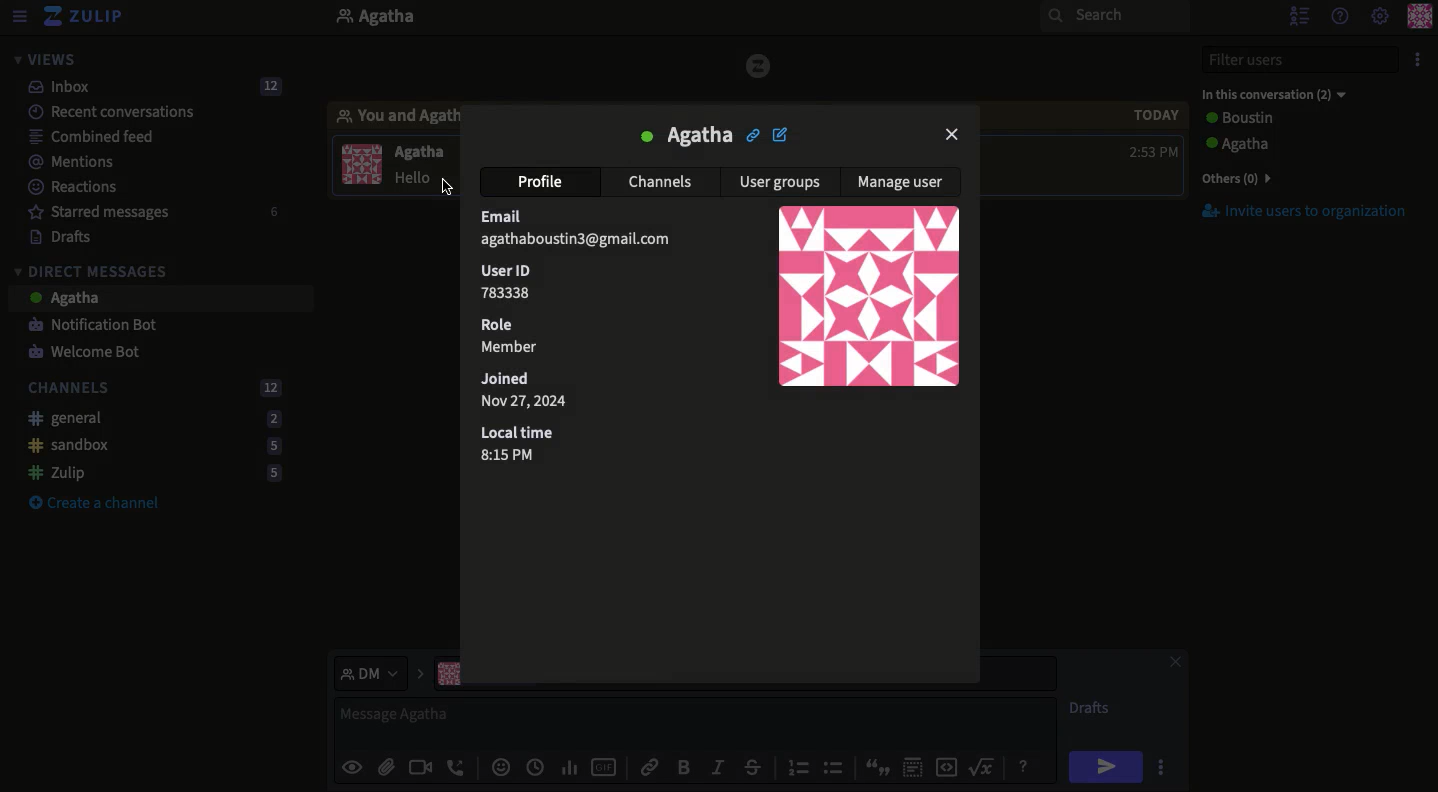 This screenshot has height=792, width=1438. Describe the element at coordinates (1161, 766) in the screenshot. I see `Options` at that location.